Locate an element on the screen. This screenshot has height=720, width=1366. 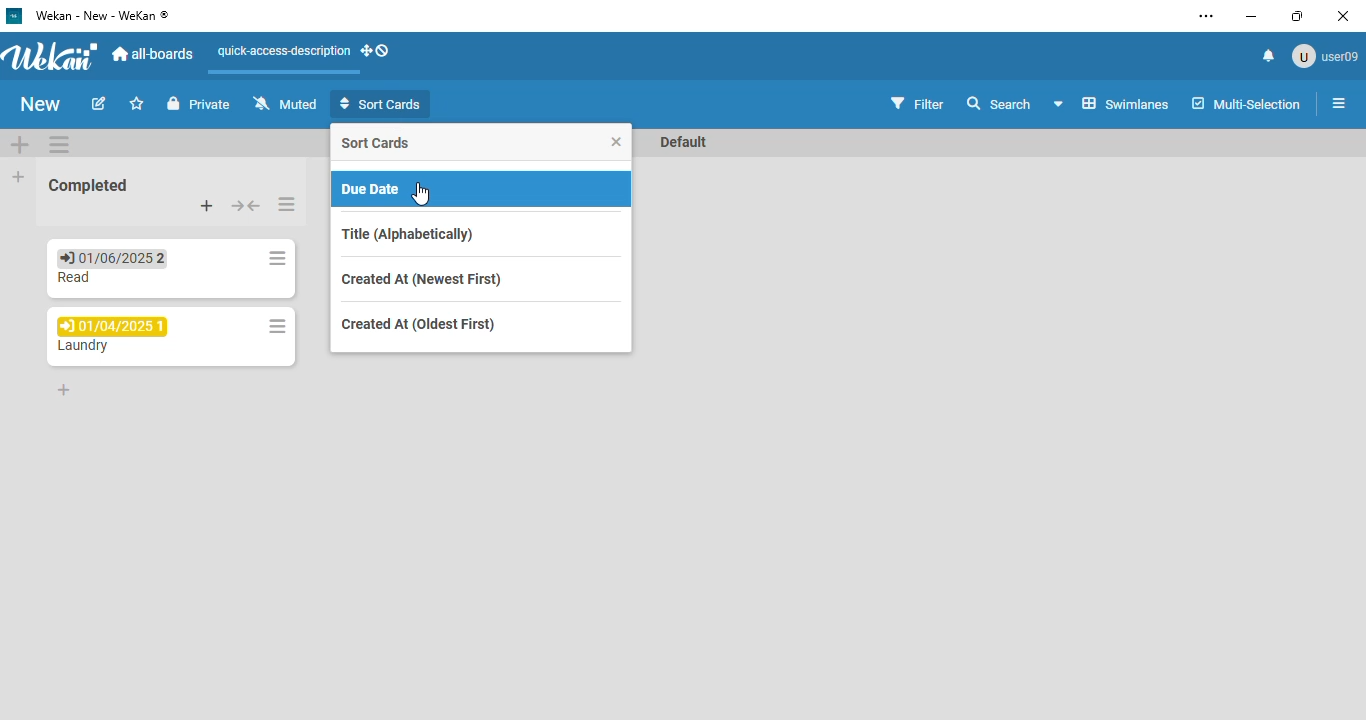
open sidebar or close sidebar is located at coordinates (1339, 103).